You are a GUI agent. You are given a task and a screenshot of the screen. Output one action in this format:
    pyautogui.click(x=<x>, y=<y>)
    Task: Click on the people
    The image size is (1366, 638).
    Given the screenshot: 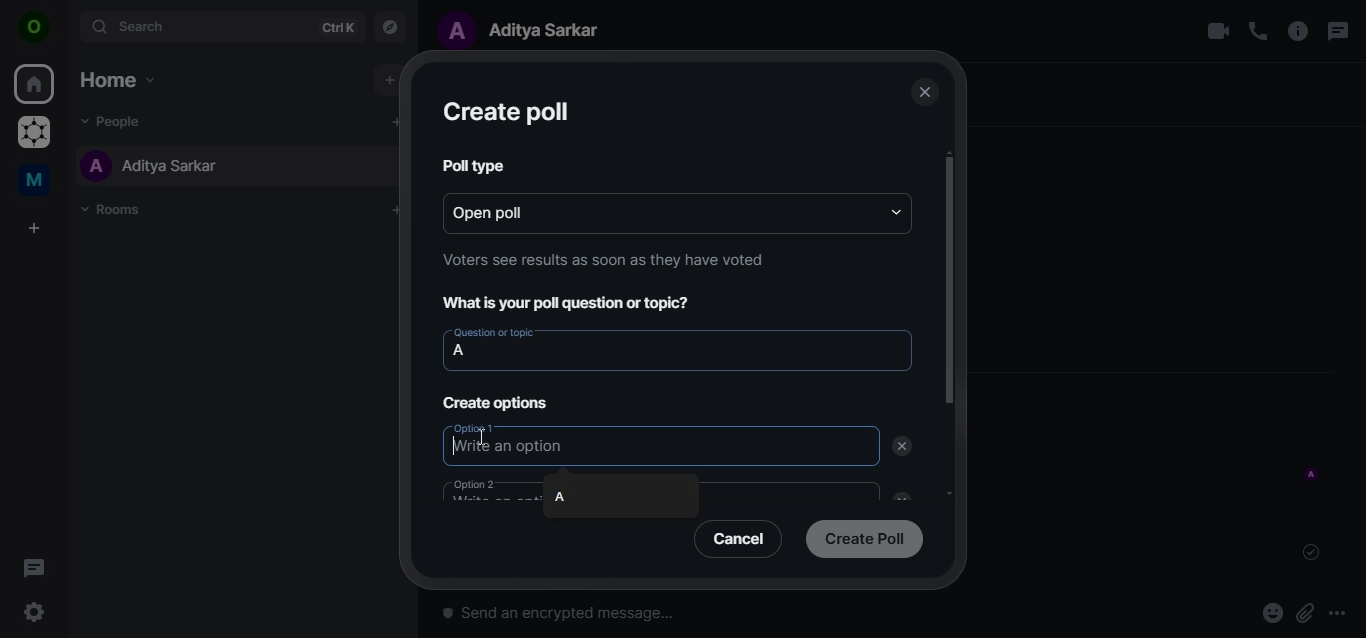 What is the action you would take?
    pyautogui.click(x=118, y=120)
    